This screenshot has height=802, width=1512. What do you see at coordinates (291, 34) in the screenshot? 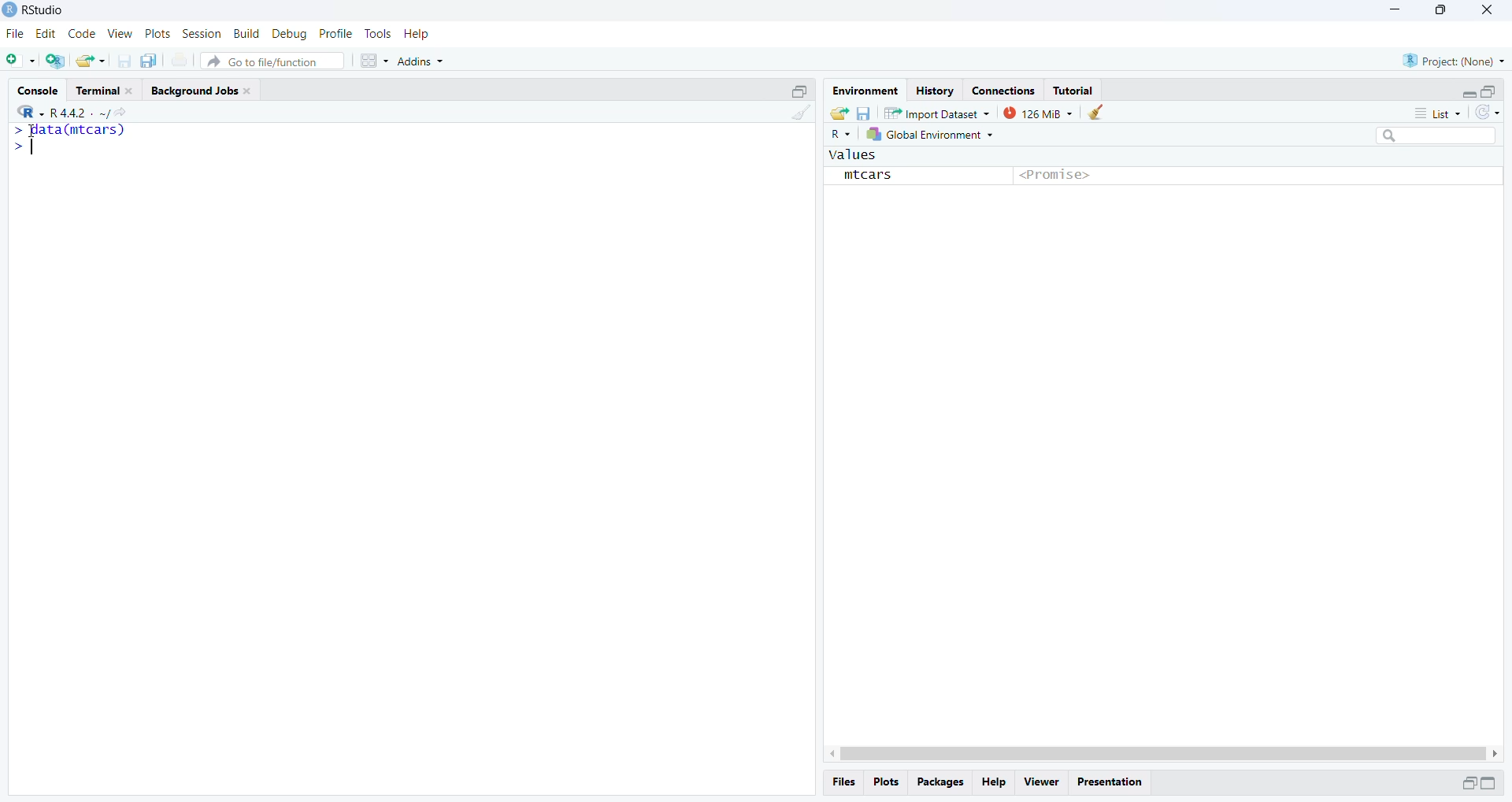
I see `Debug` at bounding box center [291, 34].